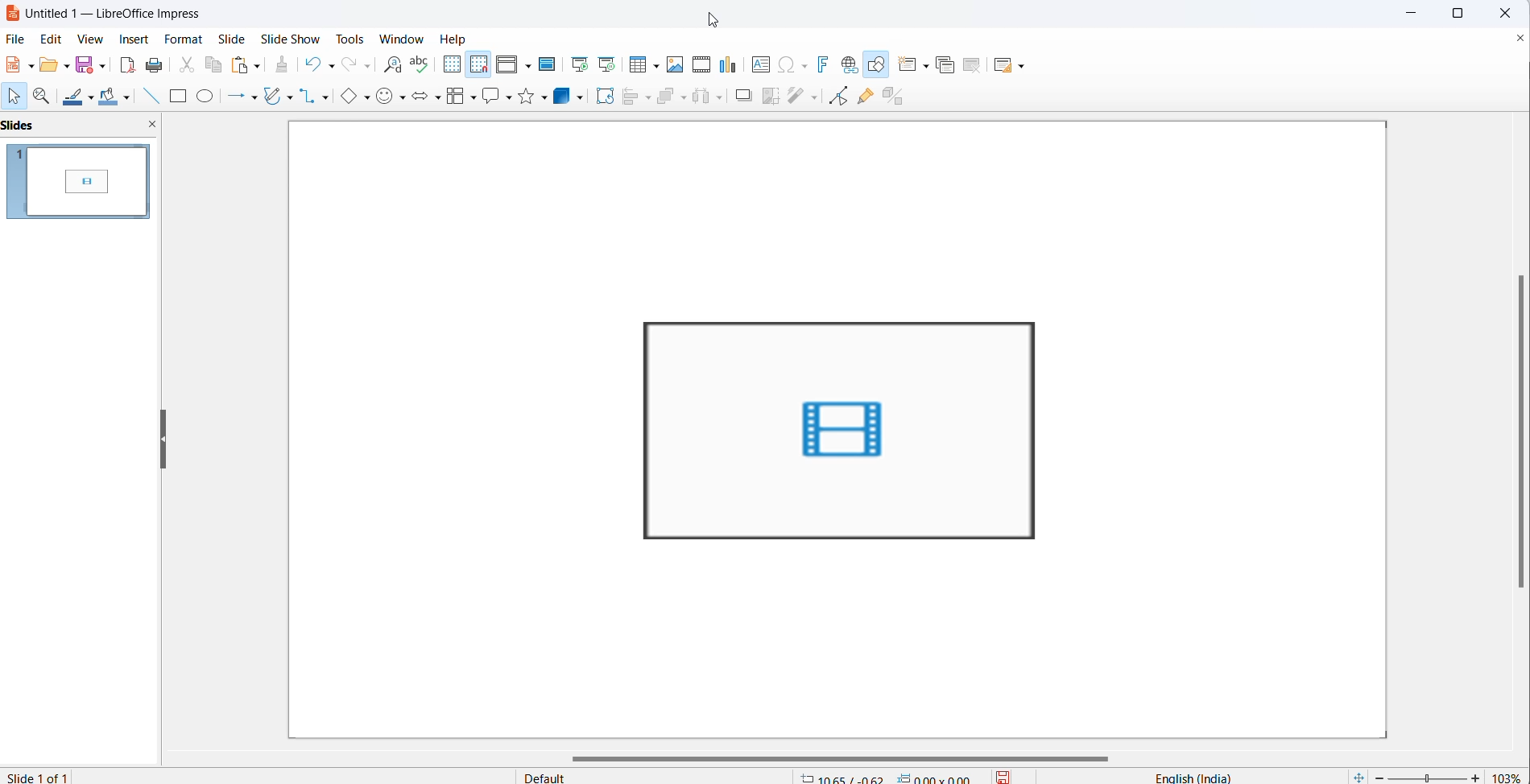  I want to click on resize, so click(163, 438).